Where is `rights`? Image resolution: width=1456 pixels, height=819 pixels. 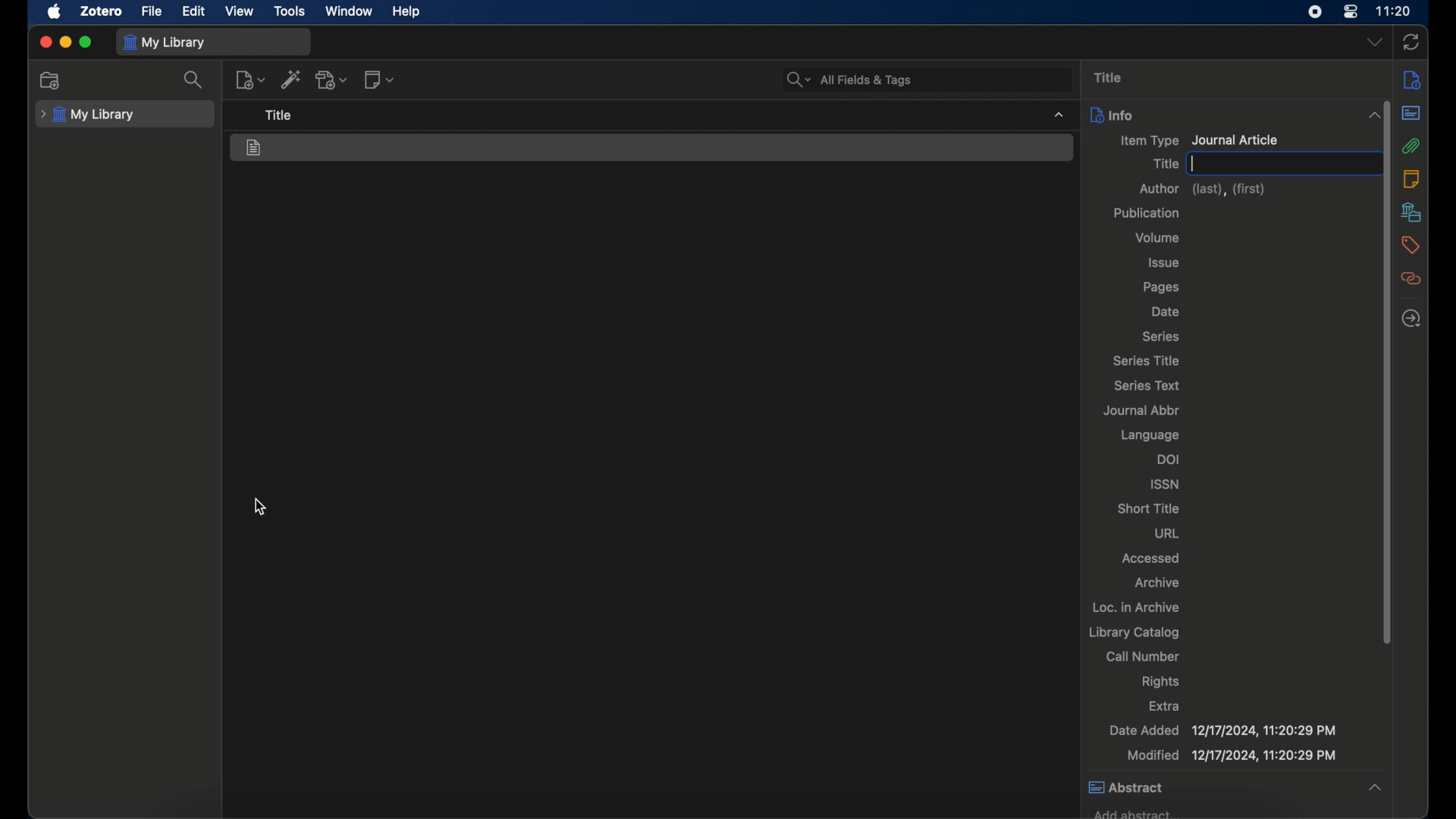 rights is located at coordinates (1161, 682).